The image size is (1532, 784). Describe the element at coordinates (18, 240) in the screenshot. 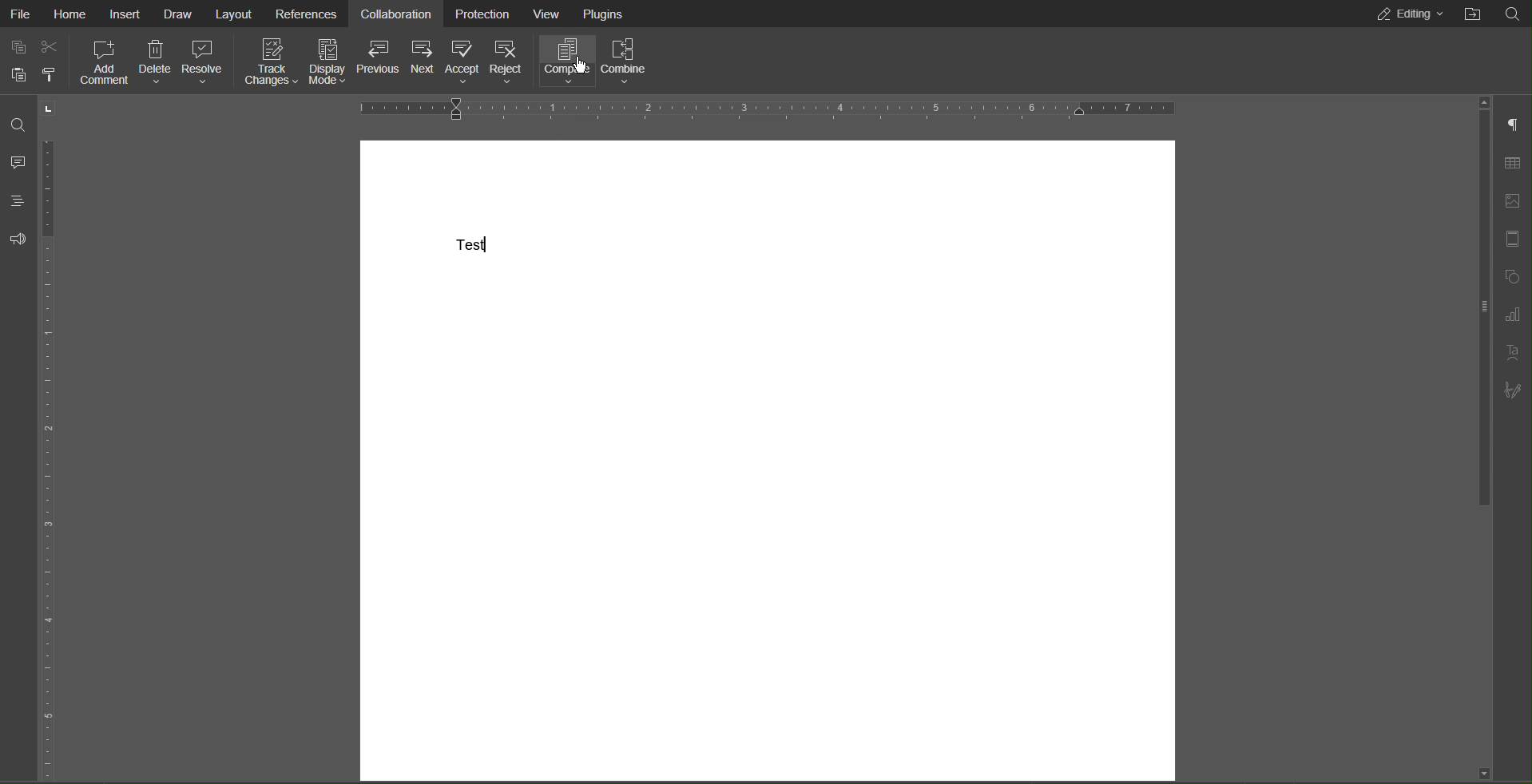

I see `Feedback and Support` at that location.